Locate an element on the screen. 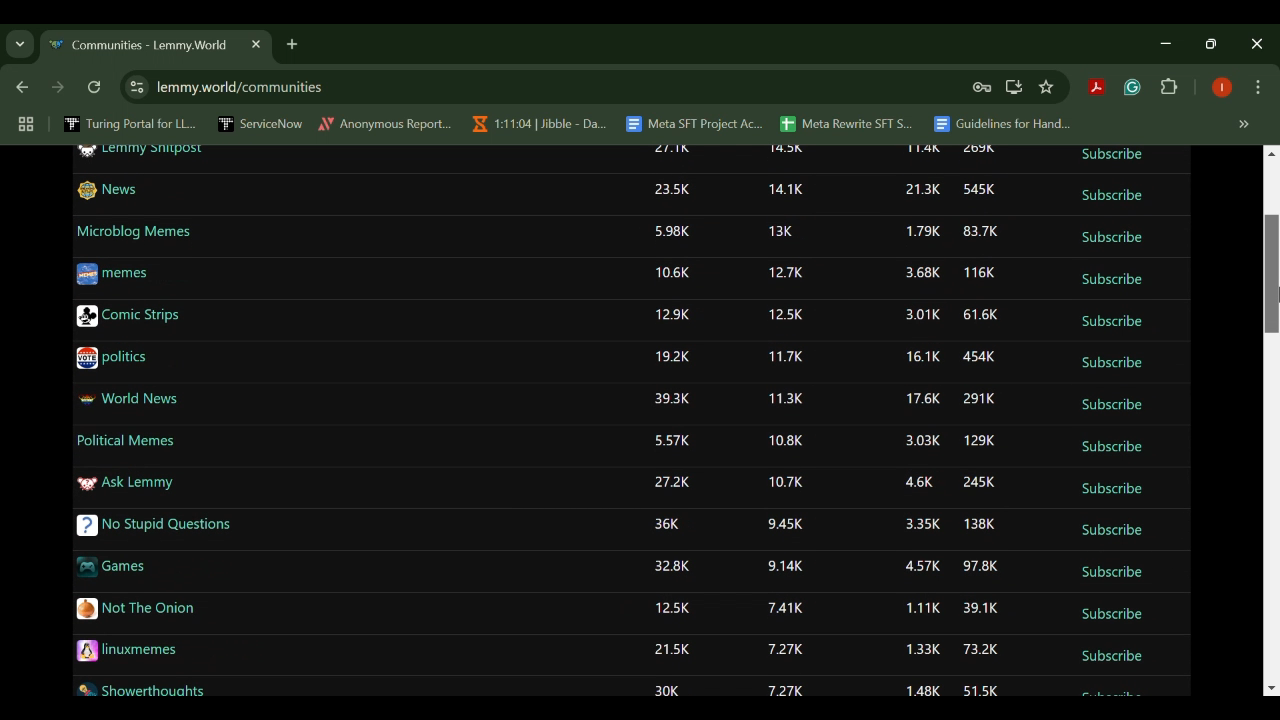 The height and width of the screenshot is (720, 1280). 10.7K is located at coordinates (787, 482).